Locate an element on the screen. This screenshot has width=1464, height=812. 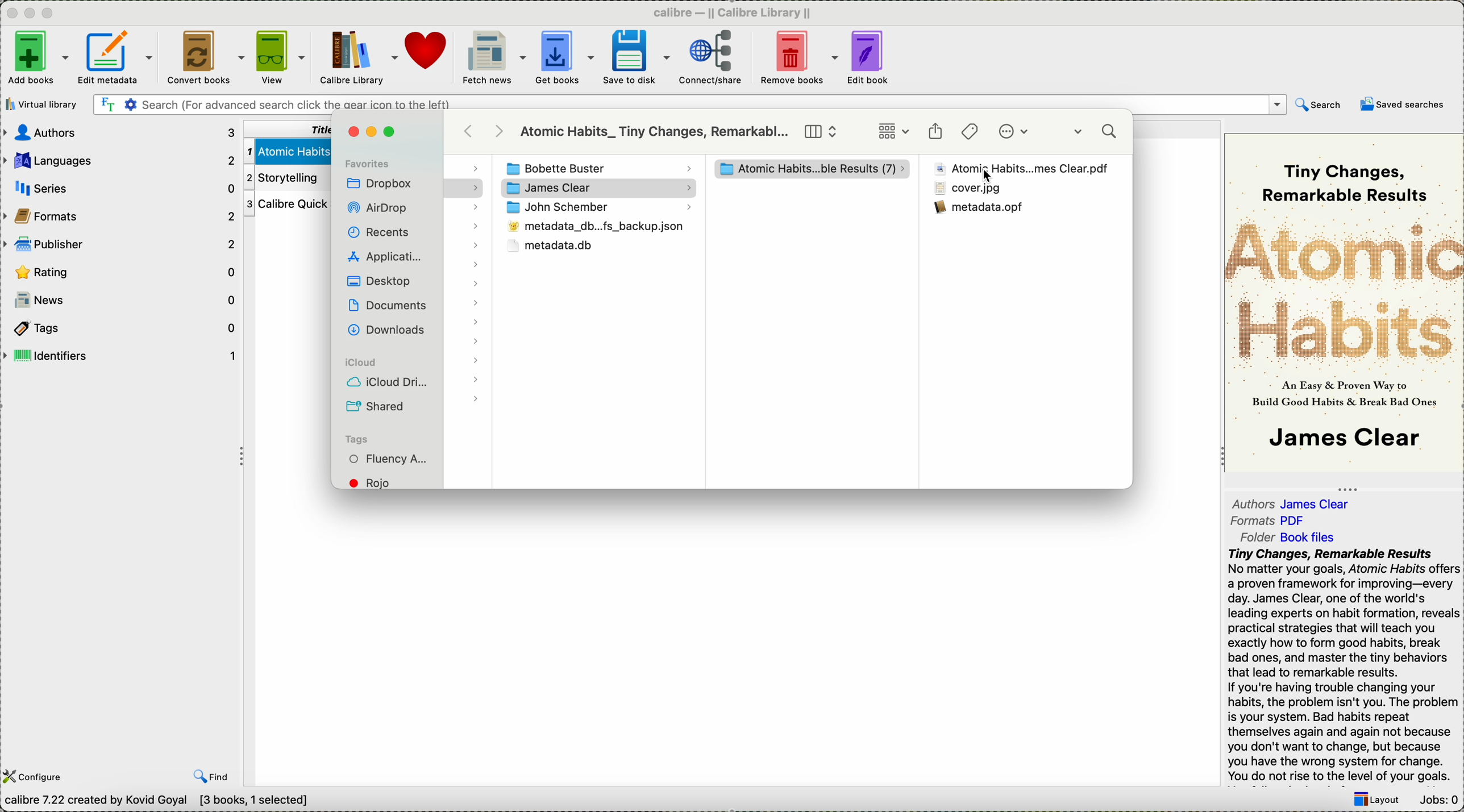
virtual library is located at coordinates (44, 104).